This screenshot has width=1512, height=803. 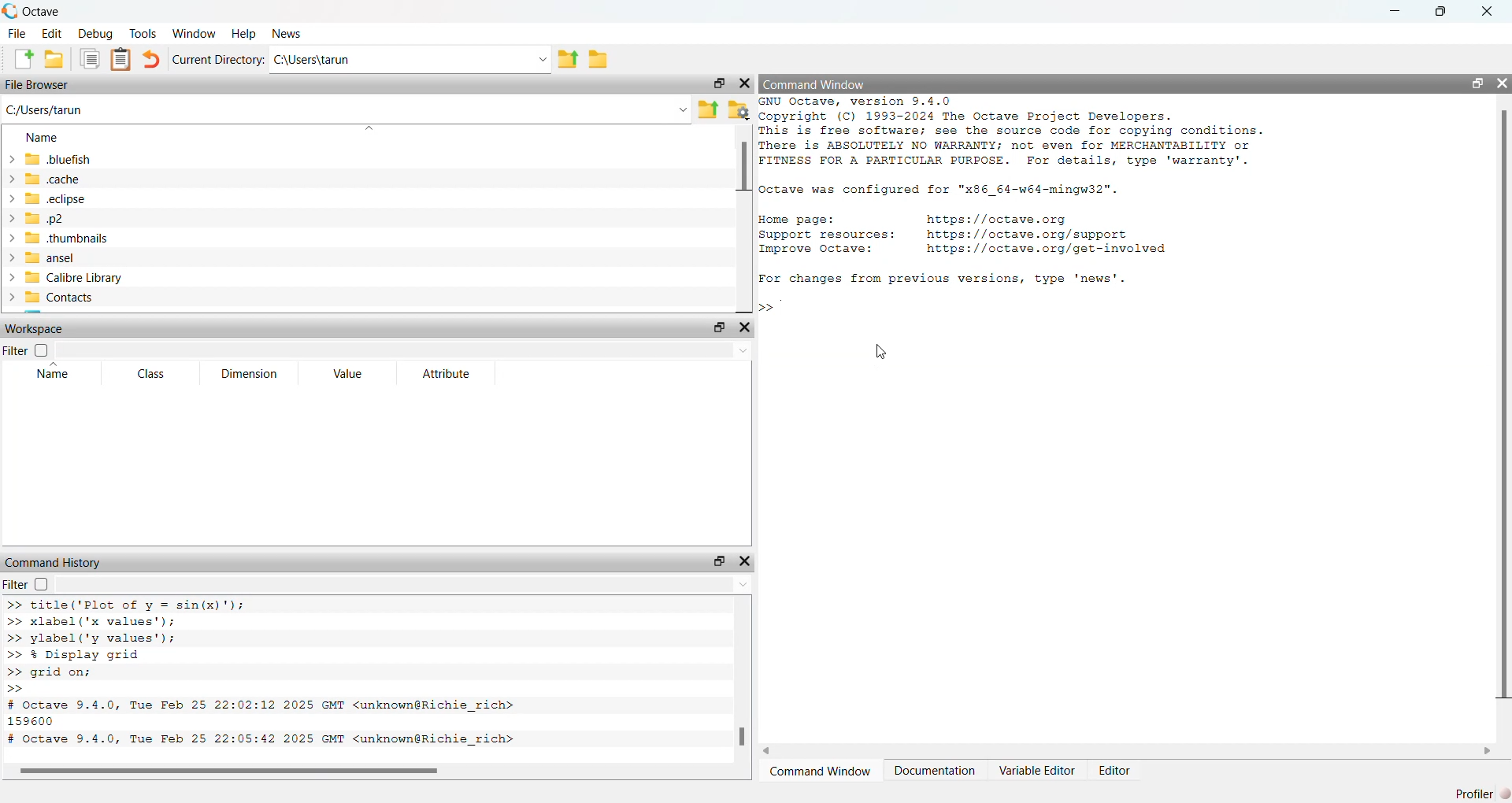 I want to click on .thumbnails, so click(x=76, y=239).